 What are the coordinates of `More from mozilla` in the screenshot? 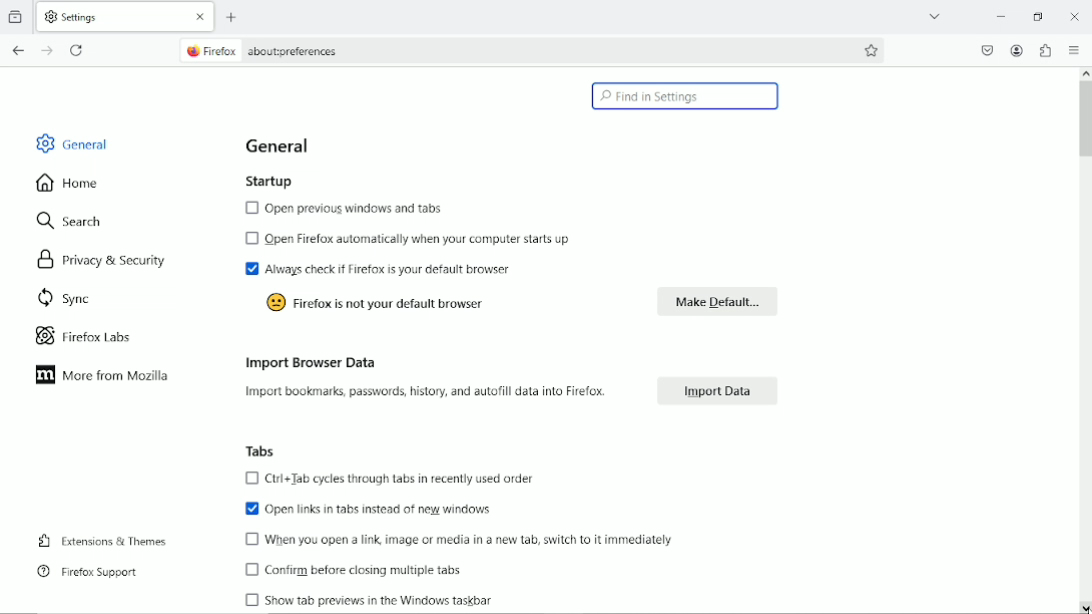 It's located at (105, 374).